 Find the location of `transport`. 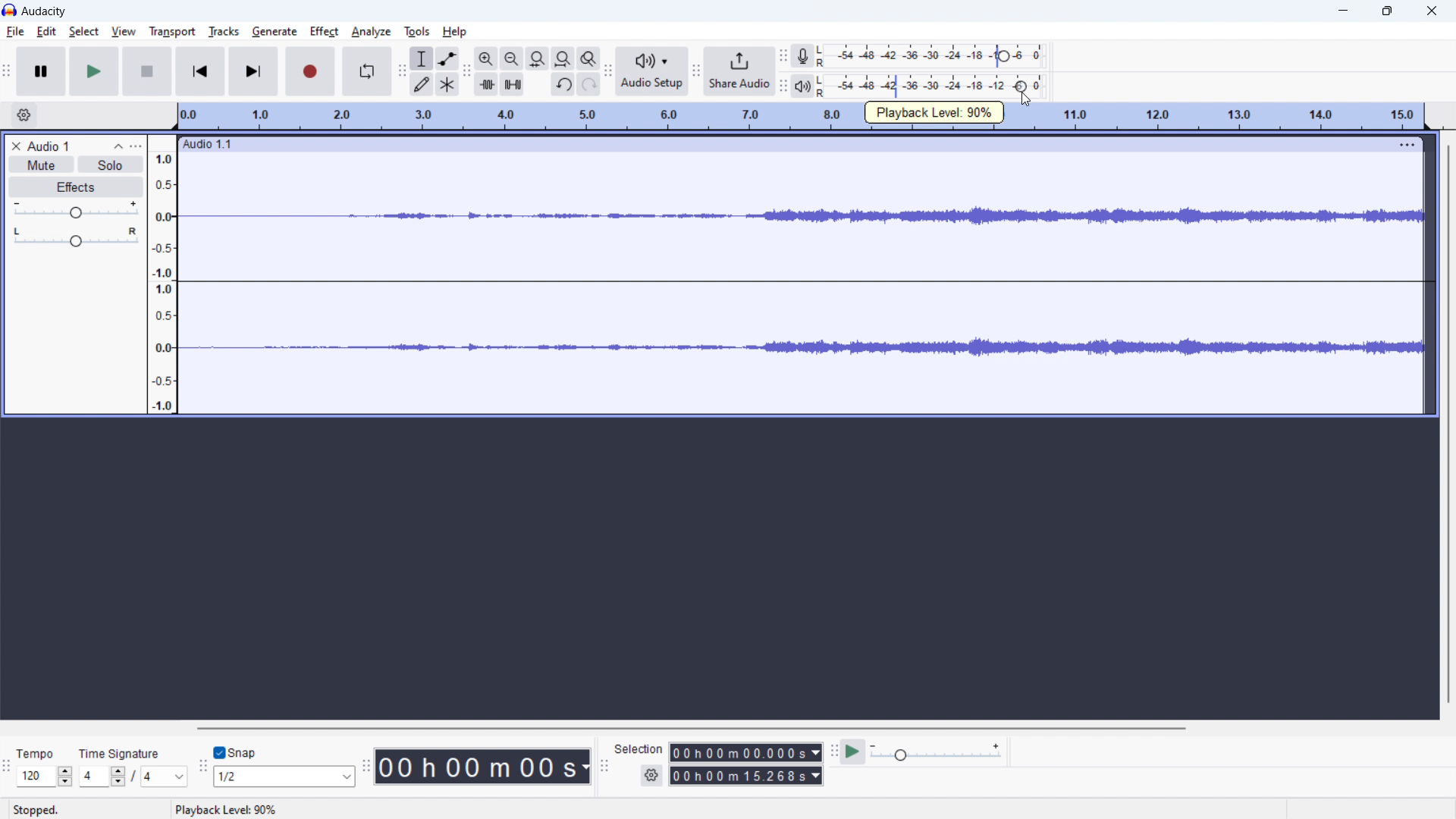

transport is located at coordinates (173, 32).